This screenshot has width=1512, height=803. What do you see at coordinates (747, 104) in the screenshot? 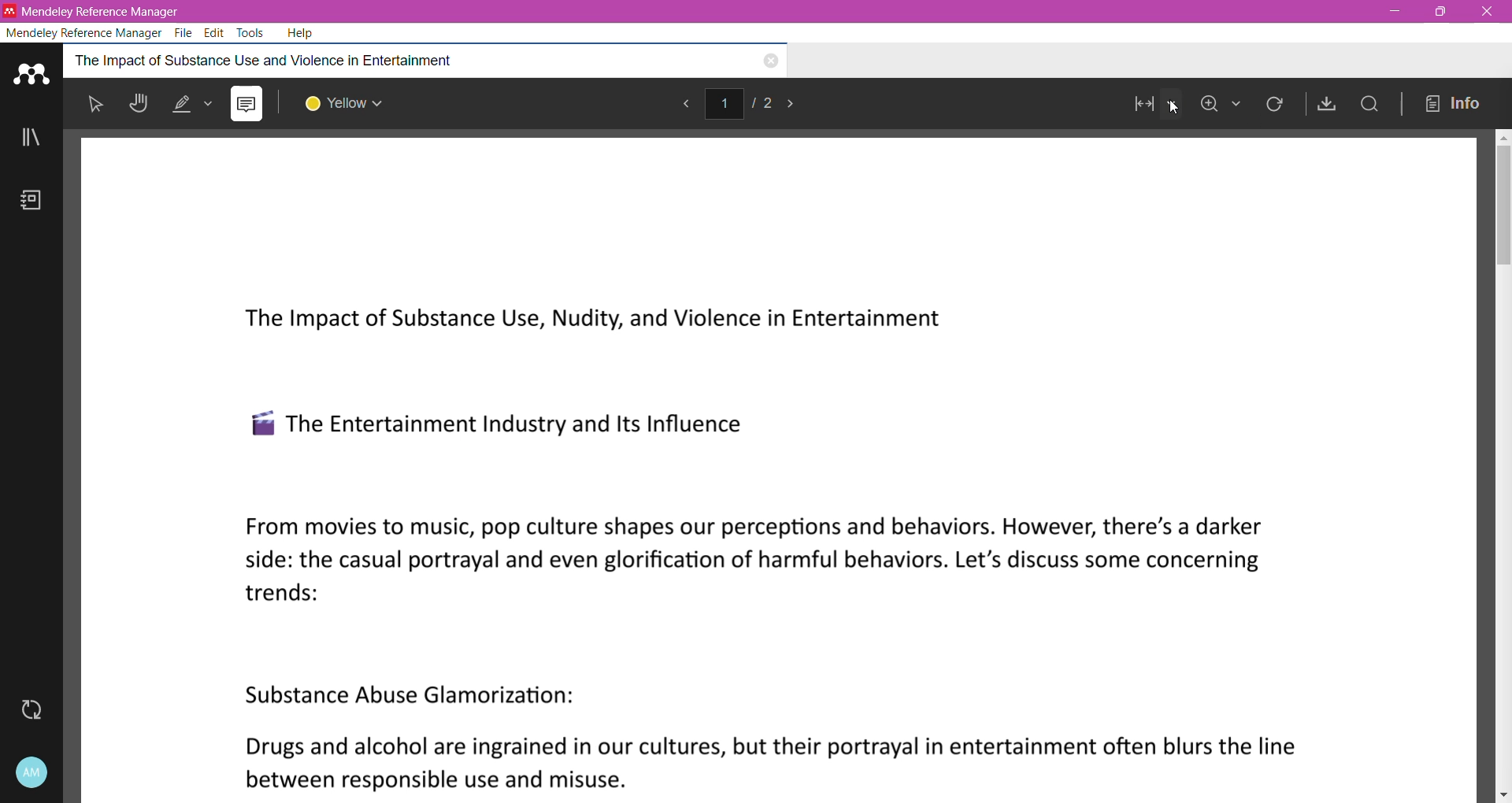
I see `Current Page/Total Number of Pages` at bounding box center [747, 104].